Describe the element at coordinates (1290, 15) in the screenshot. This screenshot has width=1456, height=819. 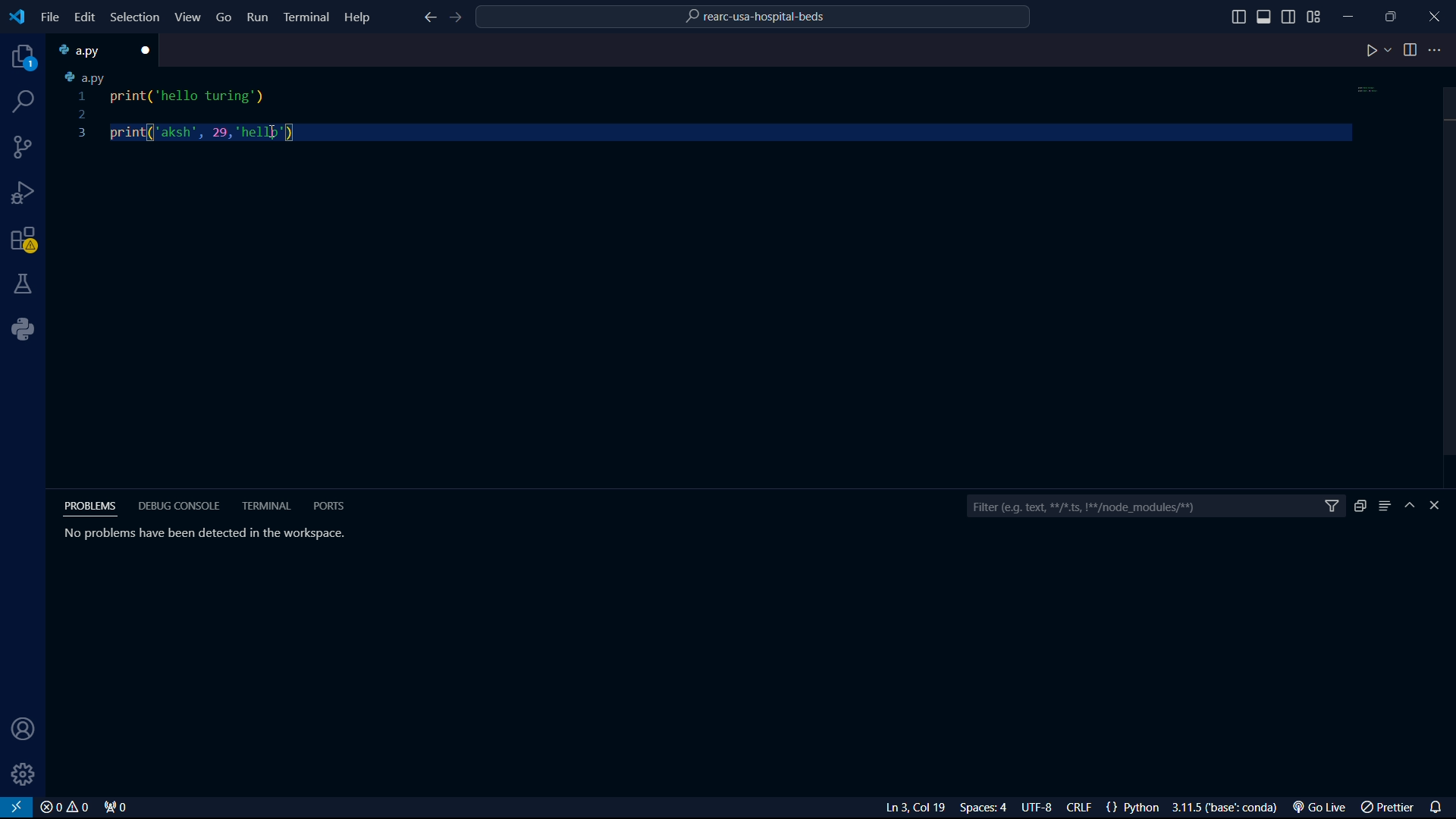
I see `toggle sidebar` at that location.